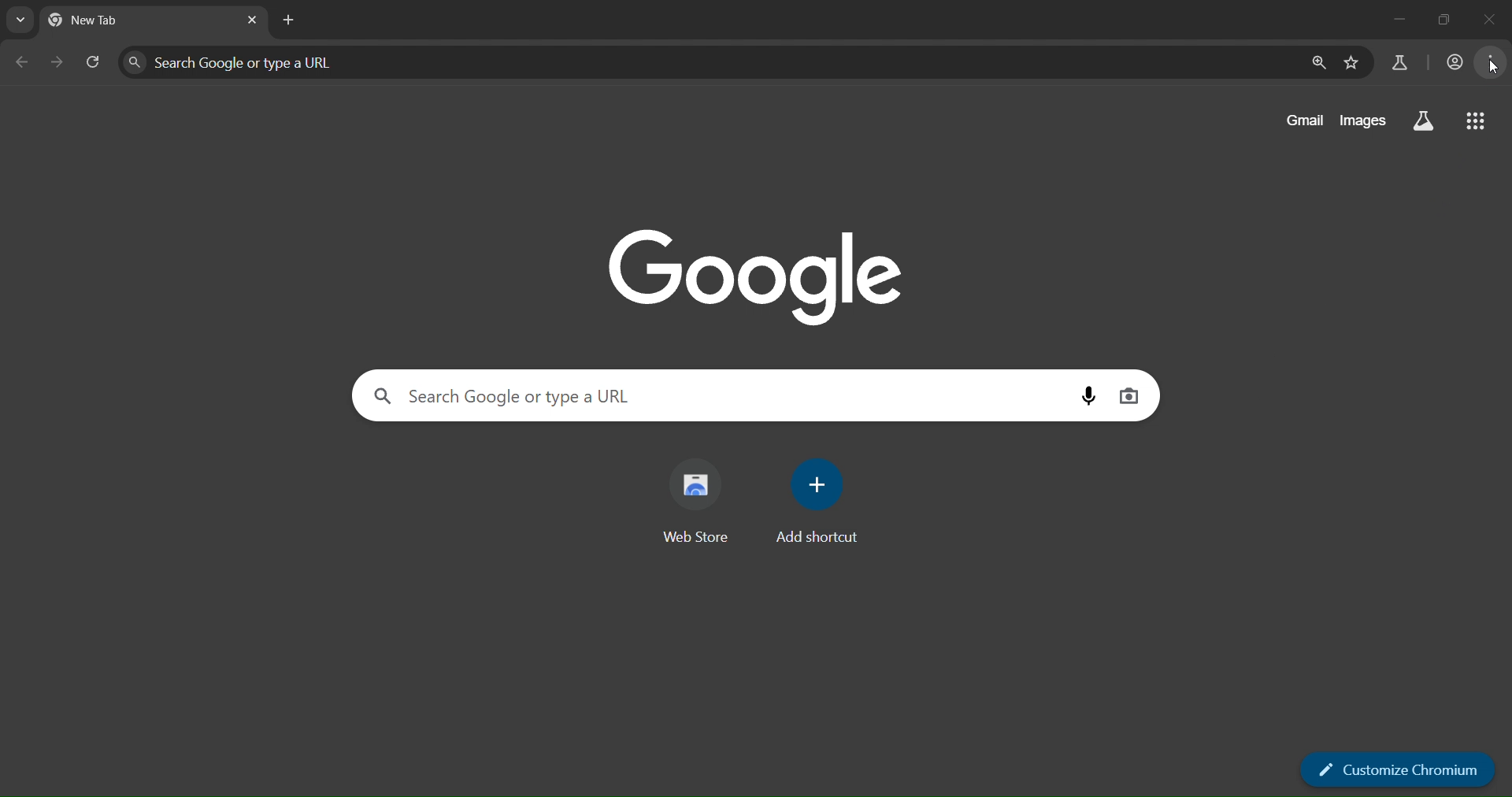 This screenshot has height=797, width=1512. Describe the element at coordinates (254, 21) in the screenshot. I see `close tab` at that location.